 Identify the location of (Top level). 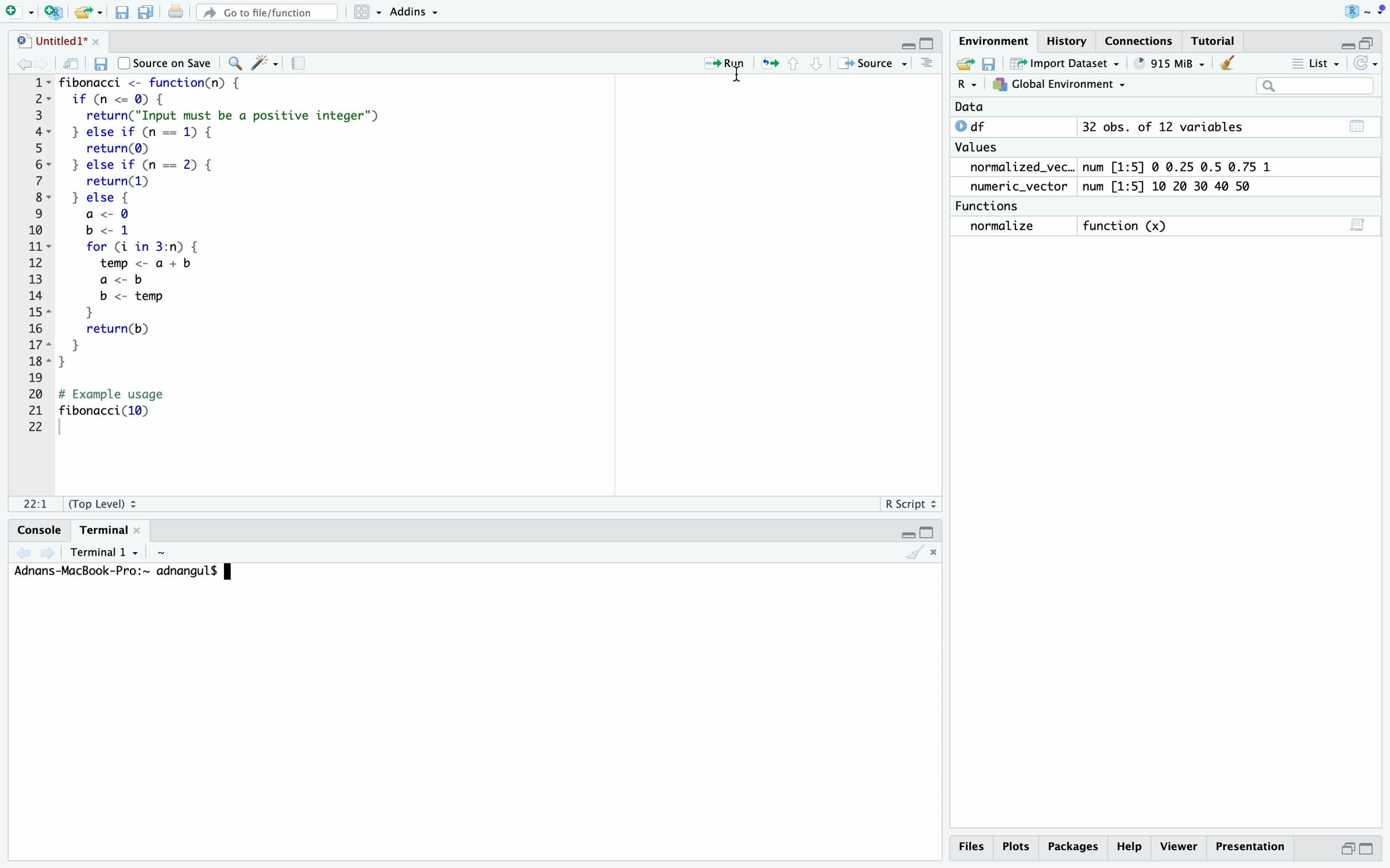
(104, 503).